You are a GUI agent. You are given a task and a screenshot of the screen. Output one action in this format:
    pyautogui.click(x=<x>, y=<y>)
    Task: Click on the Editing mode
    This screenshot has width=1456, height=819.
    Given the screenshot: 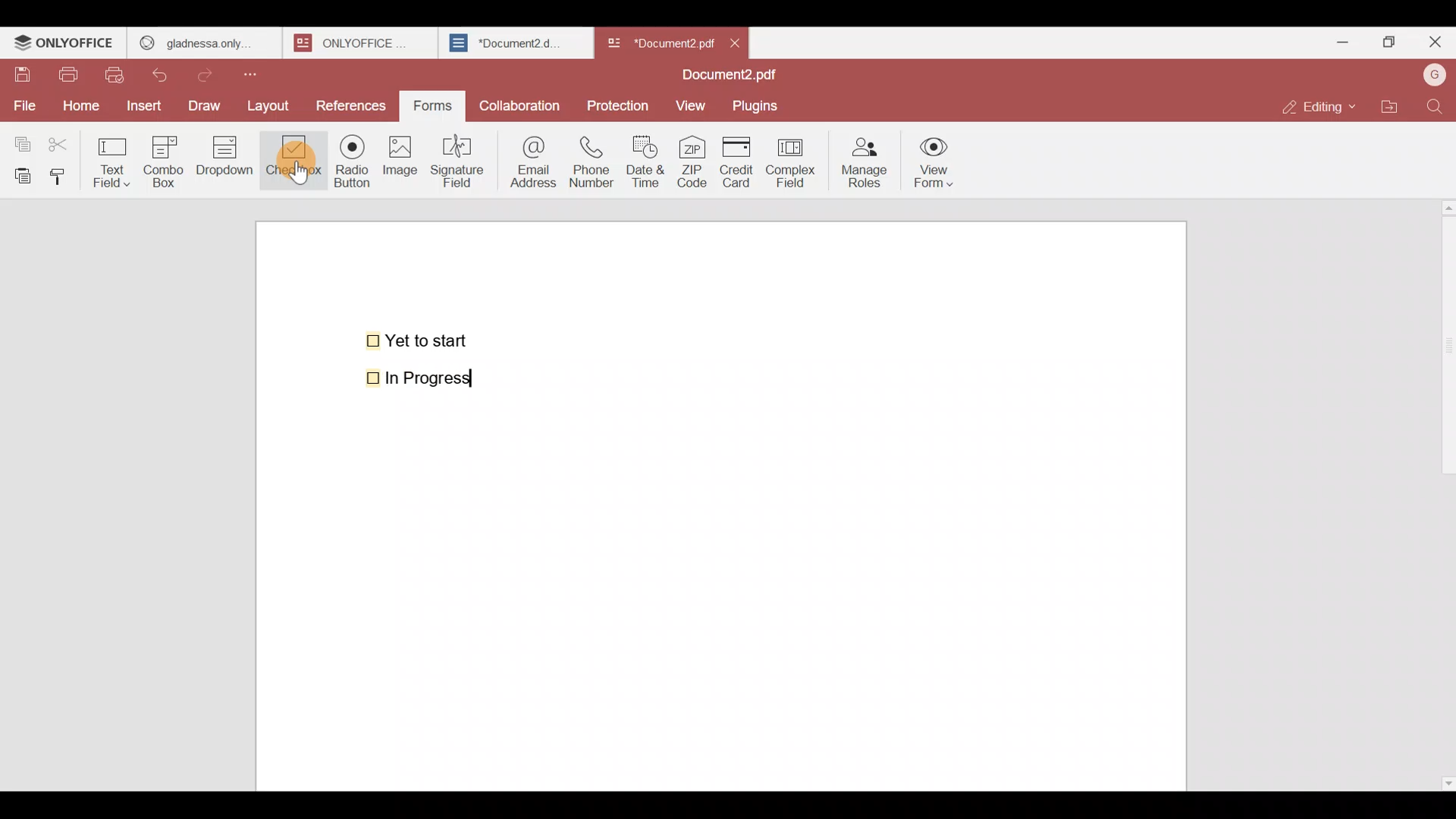 What is the action you would take?
    pyautogui.click(x=1316, y=107)
    